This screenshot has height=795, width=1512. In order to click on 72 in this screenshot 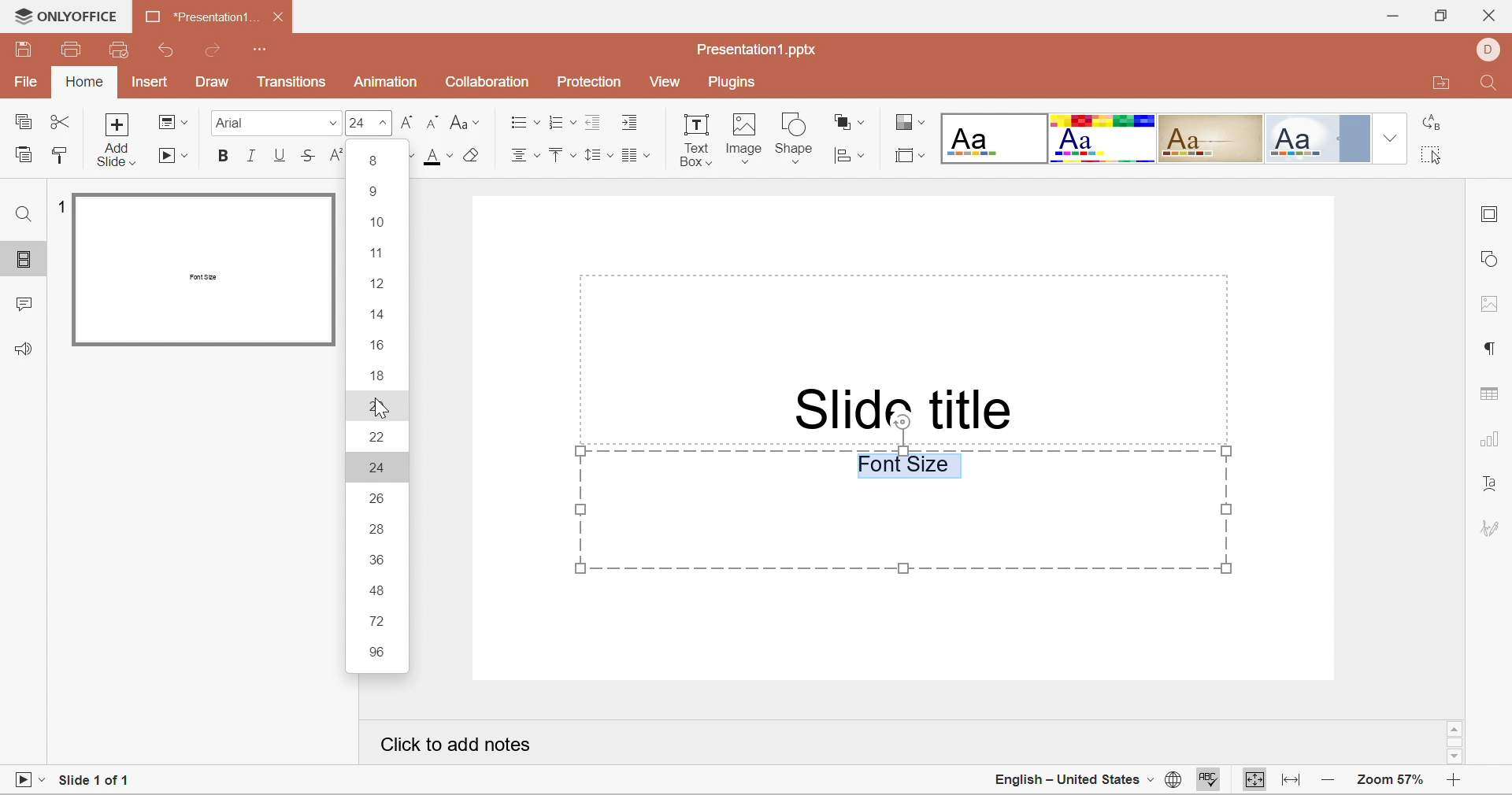, I will do `click(380, 623)`.